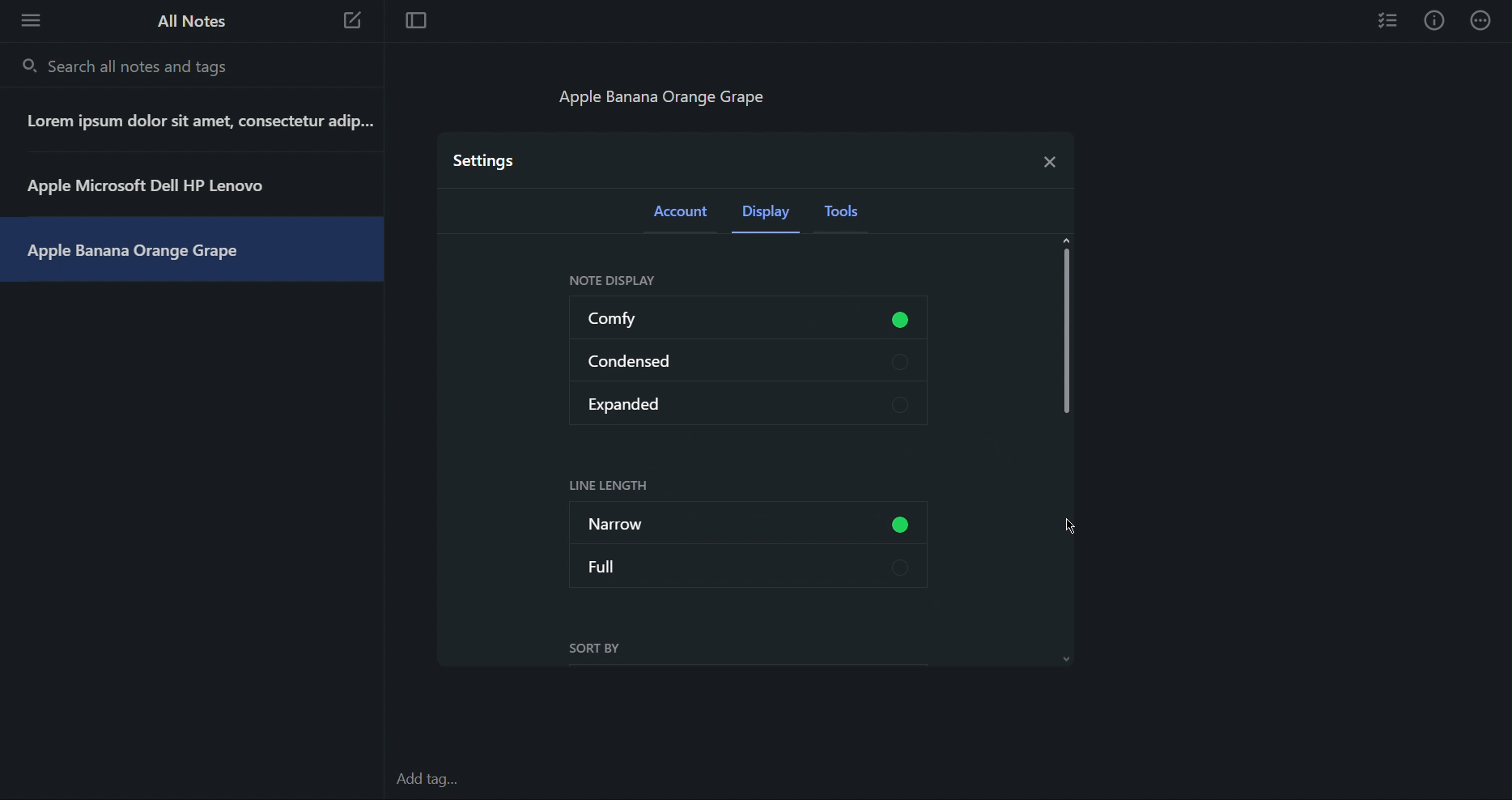  I want to click on More, so click(1483, 20).